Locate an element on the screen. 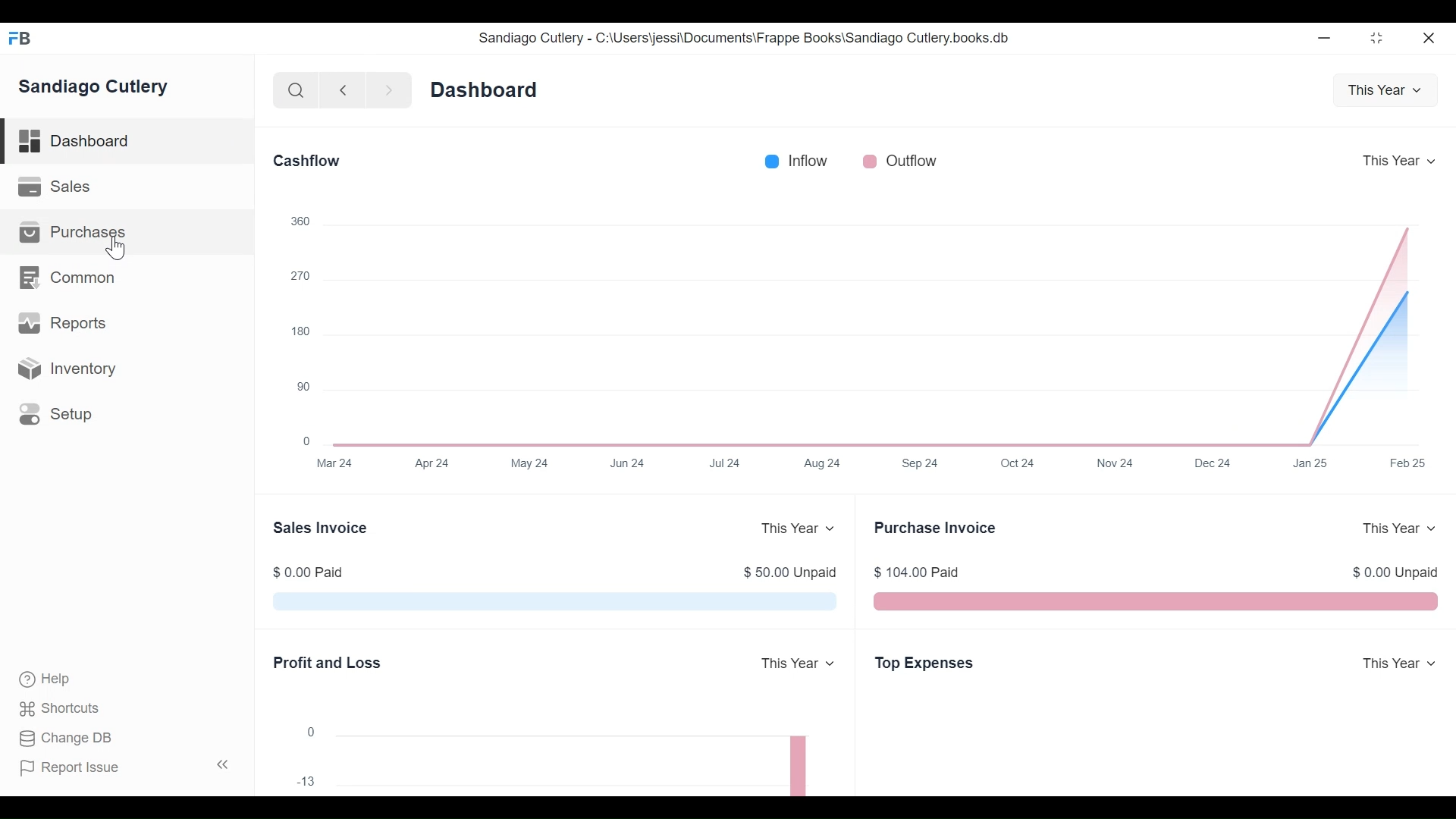 This screenshot has height=819, width=1456. Inflow is located at coordinates (808, 161).